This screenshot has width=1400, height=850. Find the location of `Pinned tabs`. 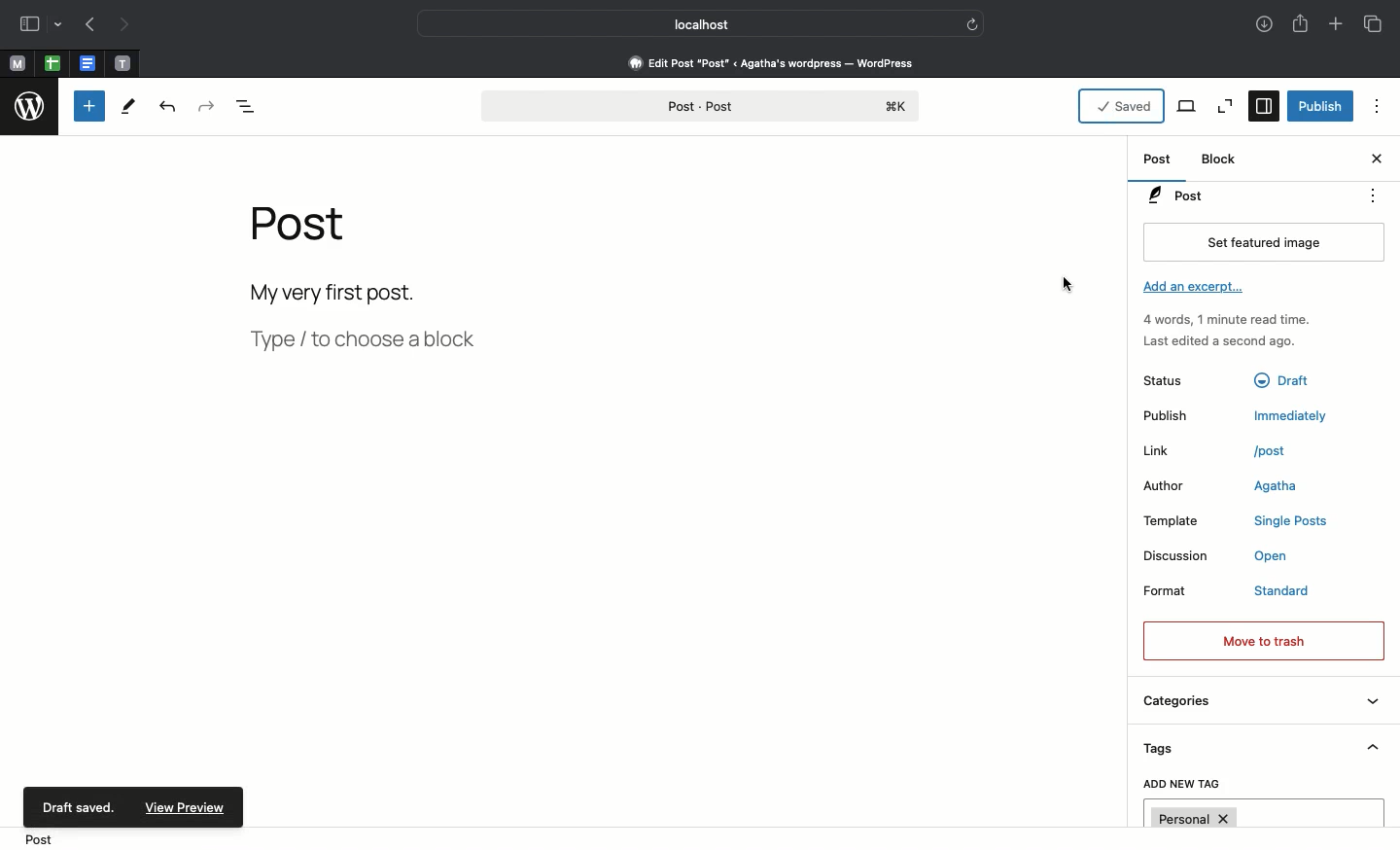

Pinned tabs is located at coordinates (88, 63).